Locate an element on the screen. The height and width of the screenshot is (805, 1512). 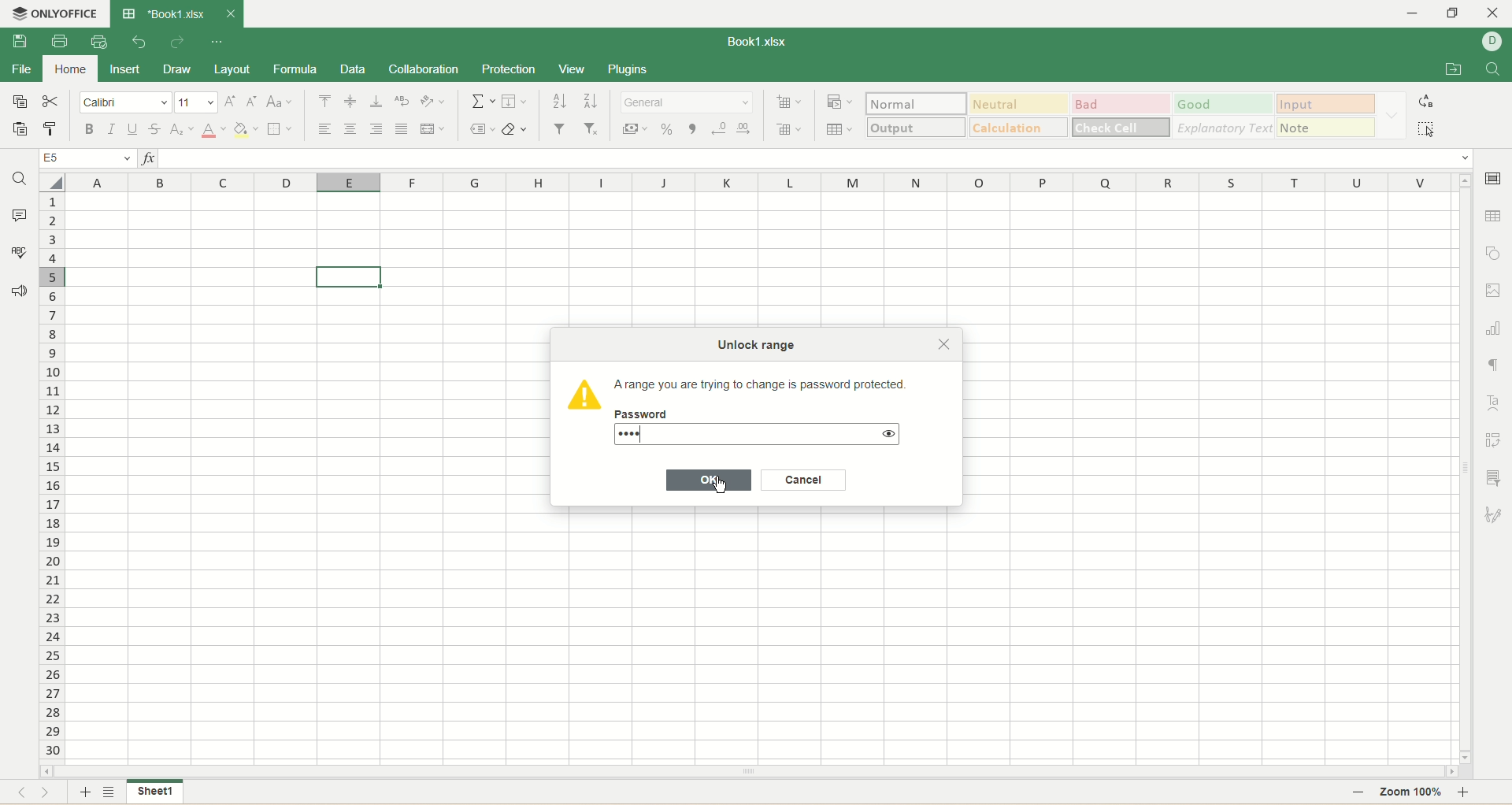
add sheet is located at coordinates (83, 792).